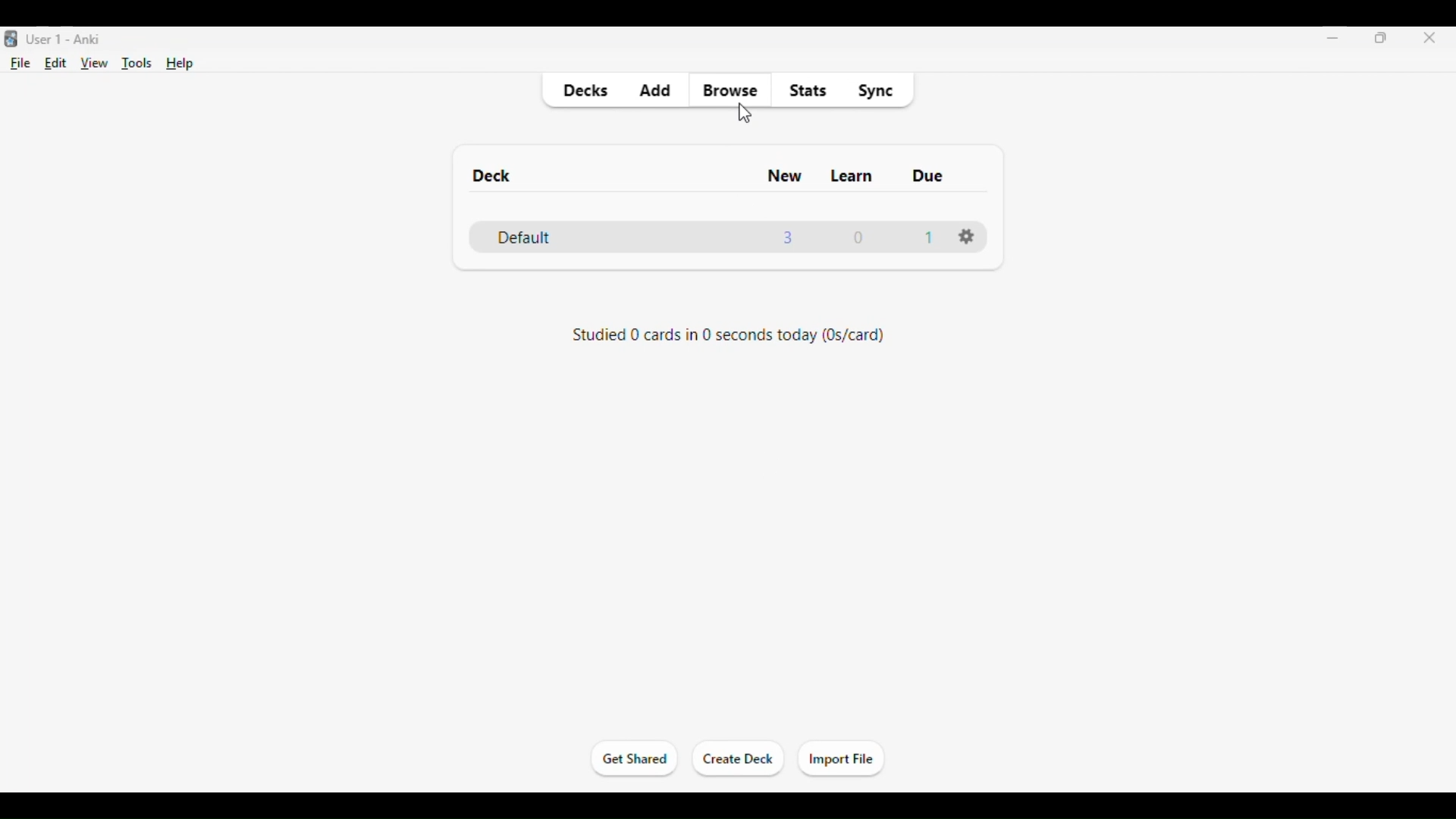 The image size is (1456, 819). I want to click on logo, so click(9, 39).